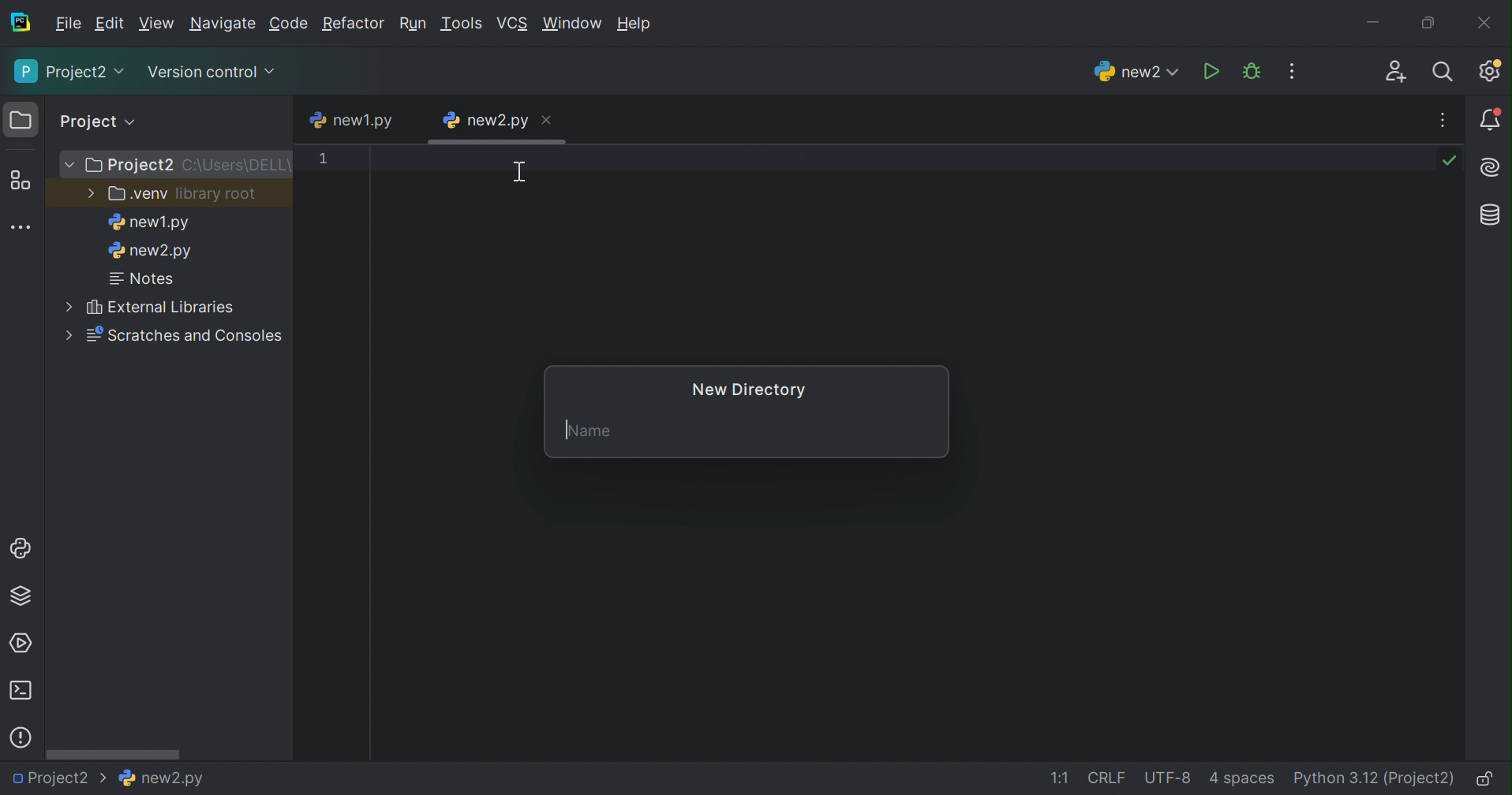  Describe the element at coordinates (1449, 73) in the screenshot. I see `Search everywhere` at that location.